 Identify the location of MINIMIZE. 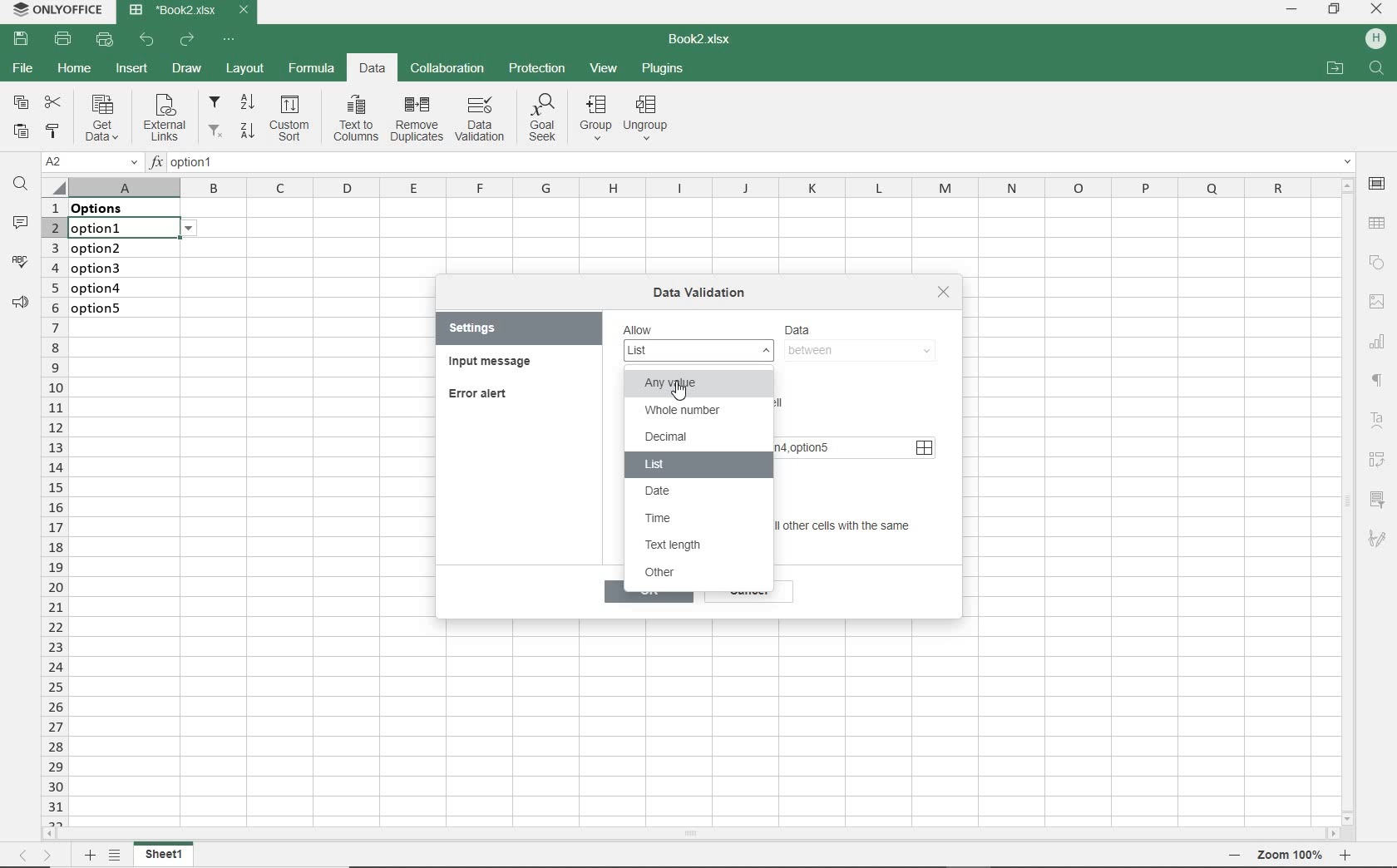
(1291, 9).